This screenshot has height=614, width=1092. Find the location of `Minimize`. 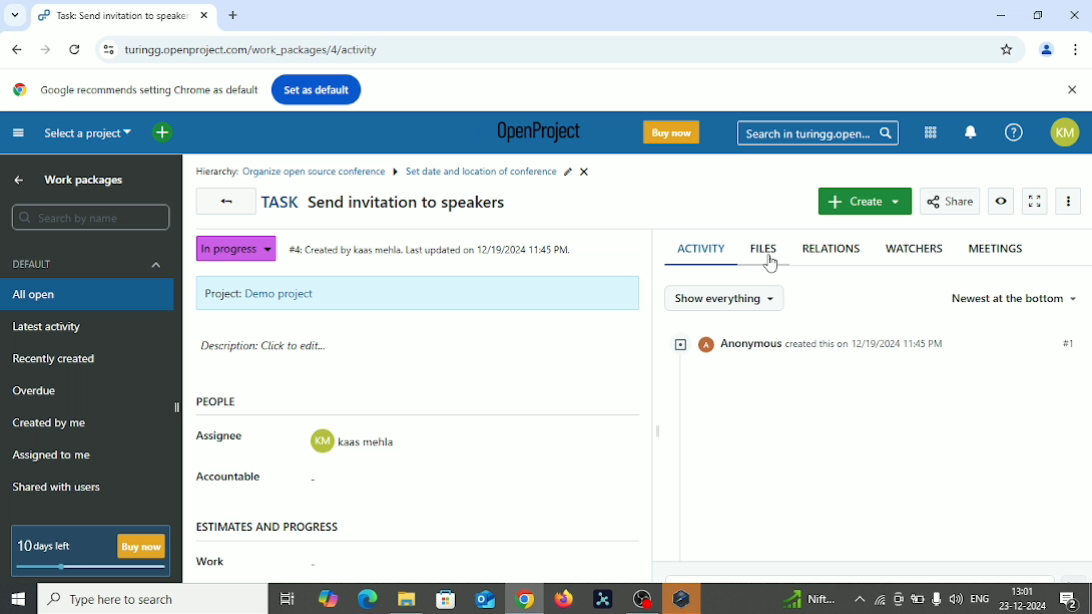

Minimize is located at coordinates (999, 15).